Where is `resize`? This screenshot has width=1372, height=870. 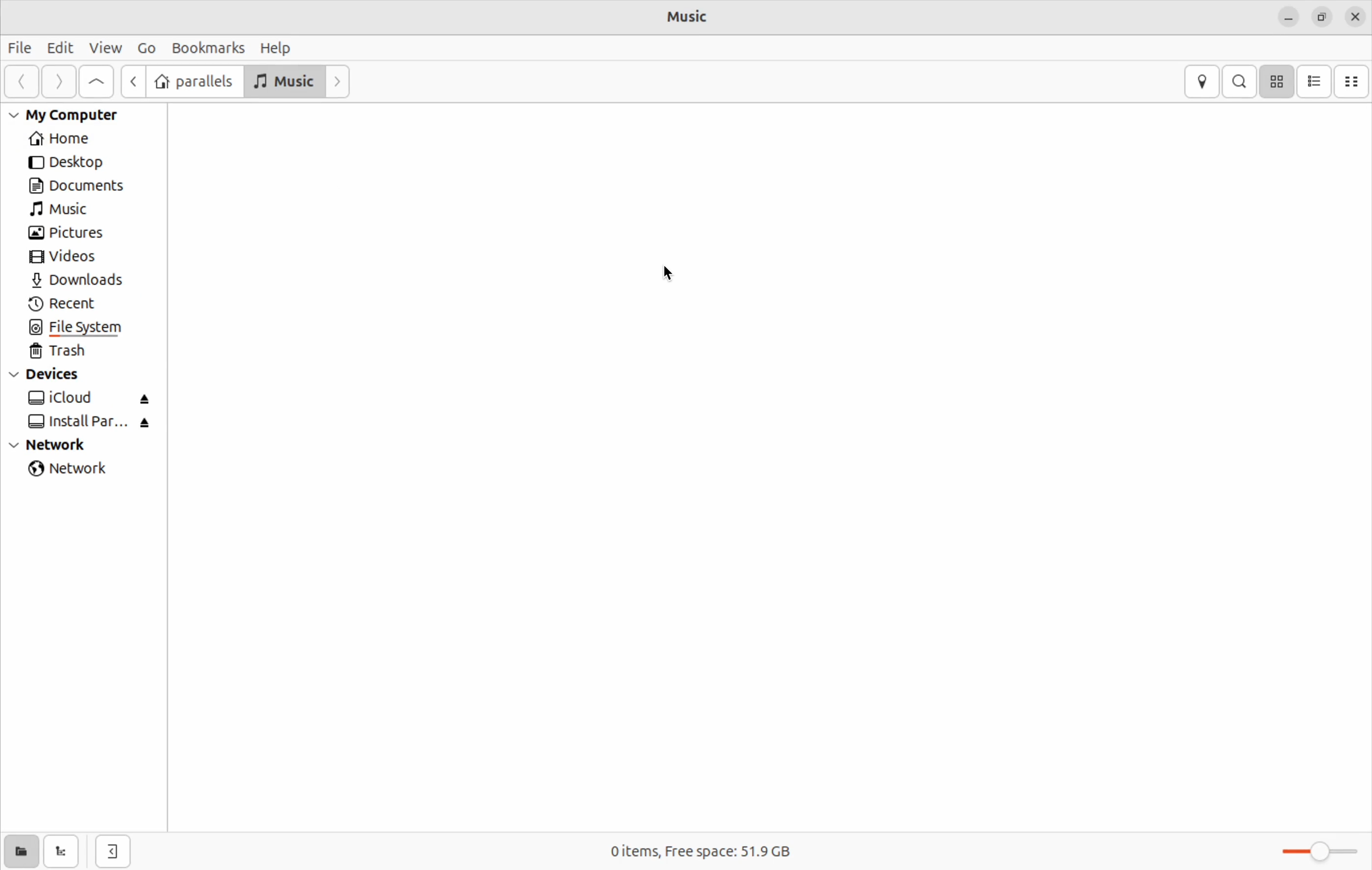
resize is located at coordinates (1325, 17).